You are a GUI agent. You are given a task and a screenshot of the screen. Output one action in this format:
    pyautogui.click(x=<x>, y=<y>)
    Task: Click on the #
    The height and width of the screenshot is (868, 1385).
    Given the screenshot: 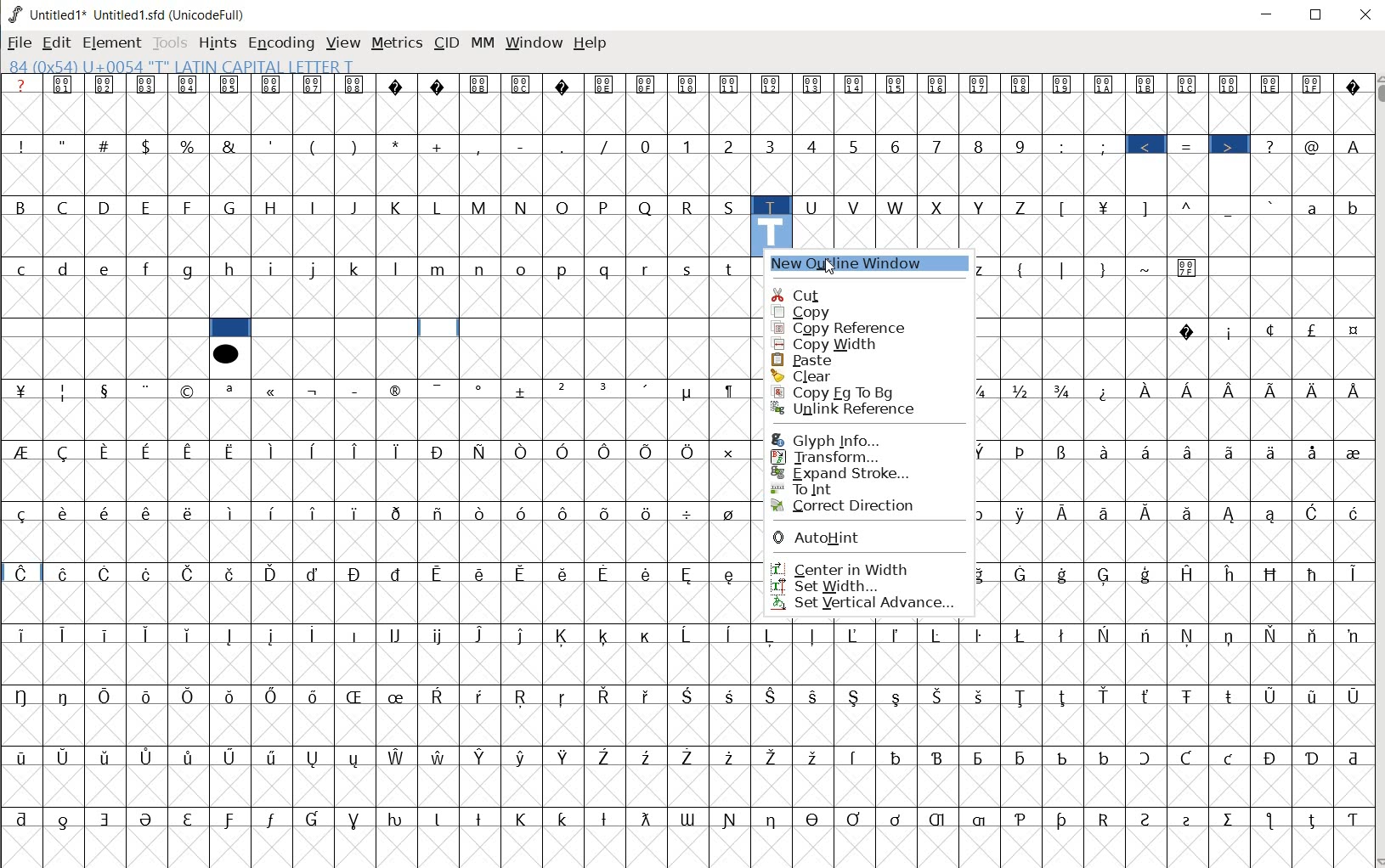 What is the action you would take?
    pyautogui.click(x=105, y=146)
    